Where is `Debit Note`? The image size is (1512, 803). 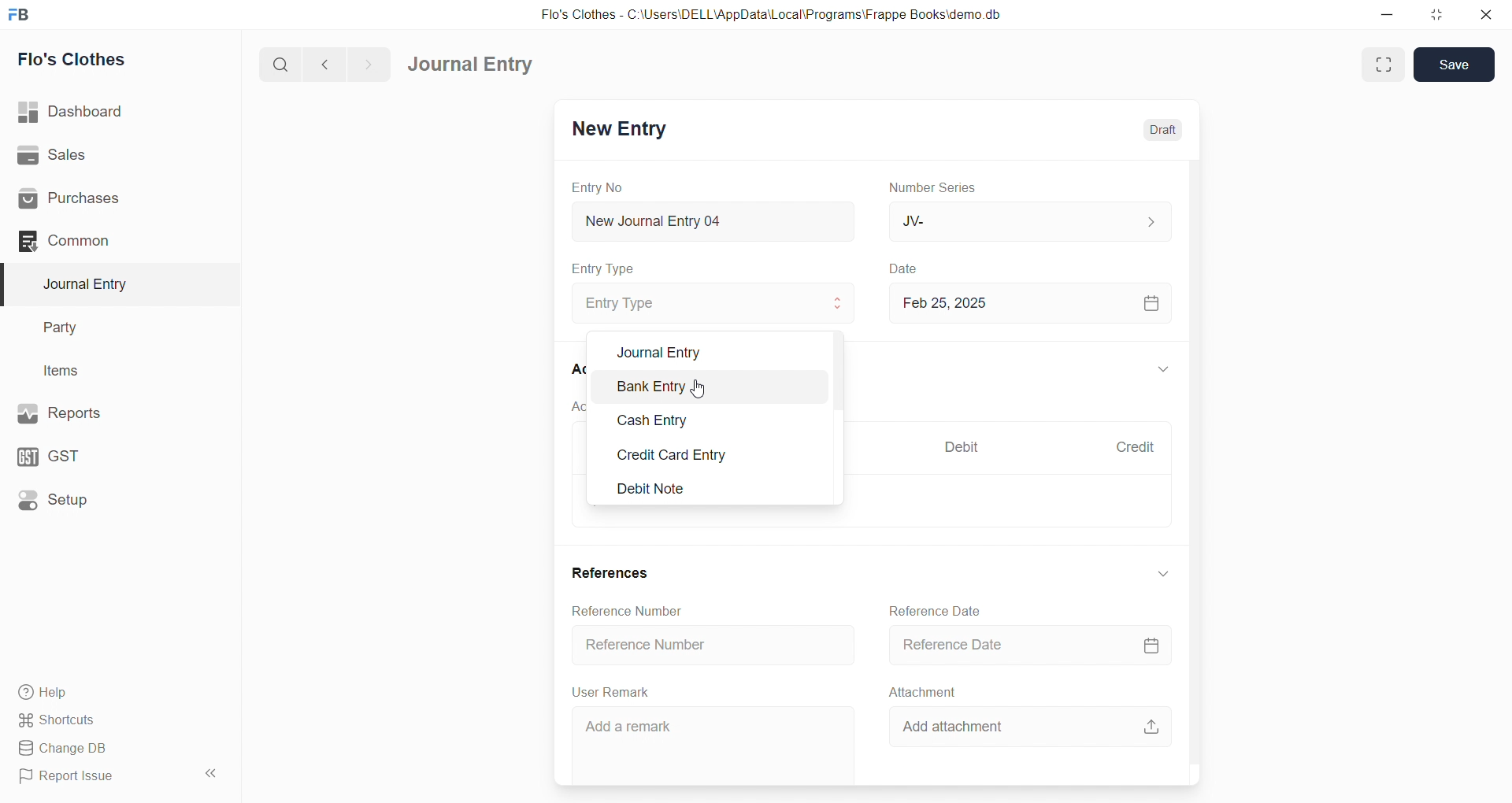 Debit Note is located at coordinates (707, 489).